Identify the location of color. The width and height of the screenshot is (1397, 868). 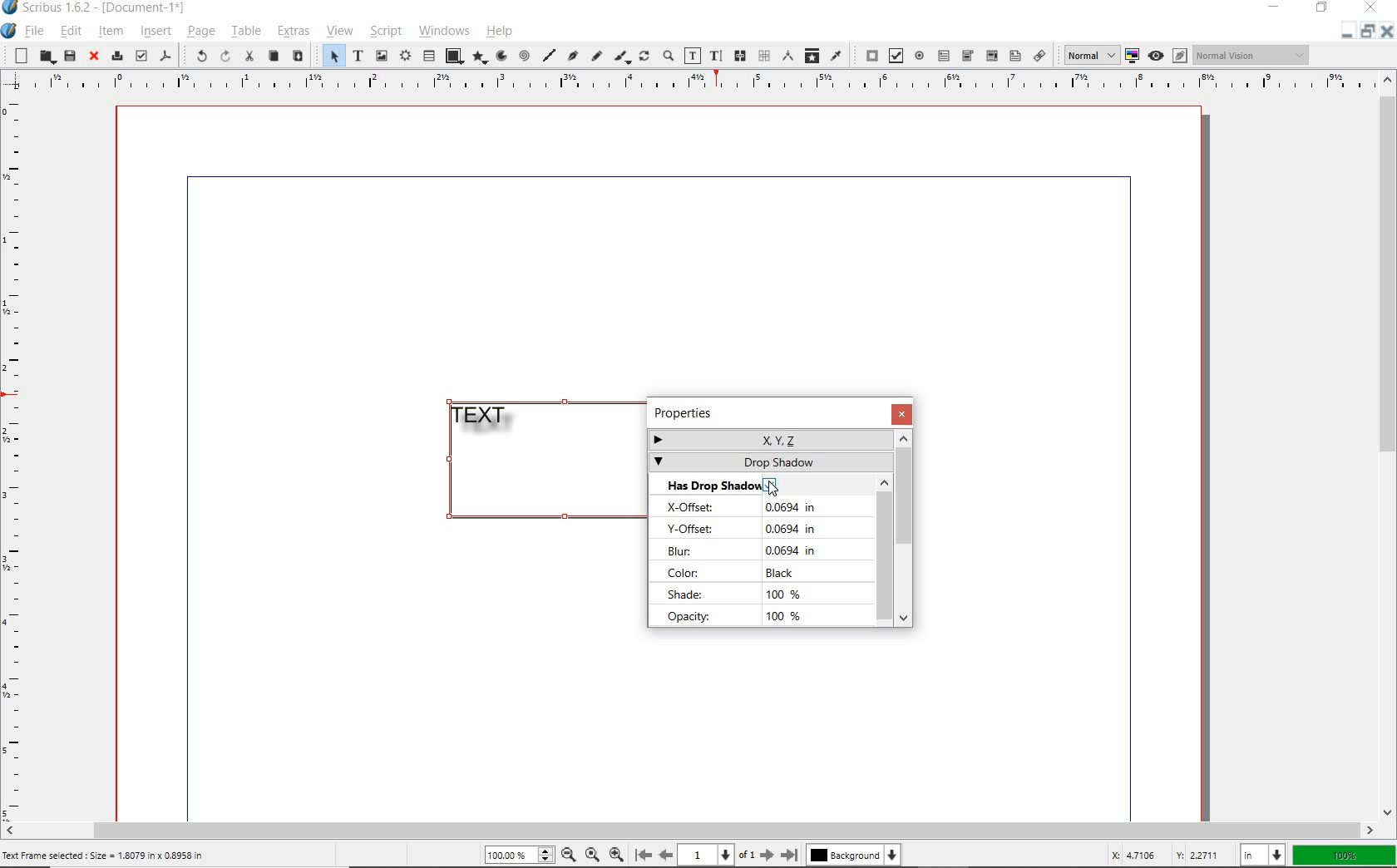
(740, 573).